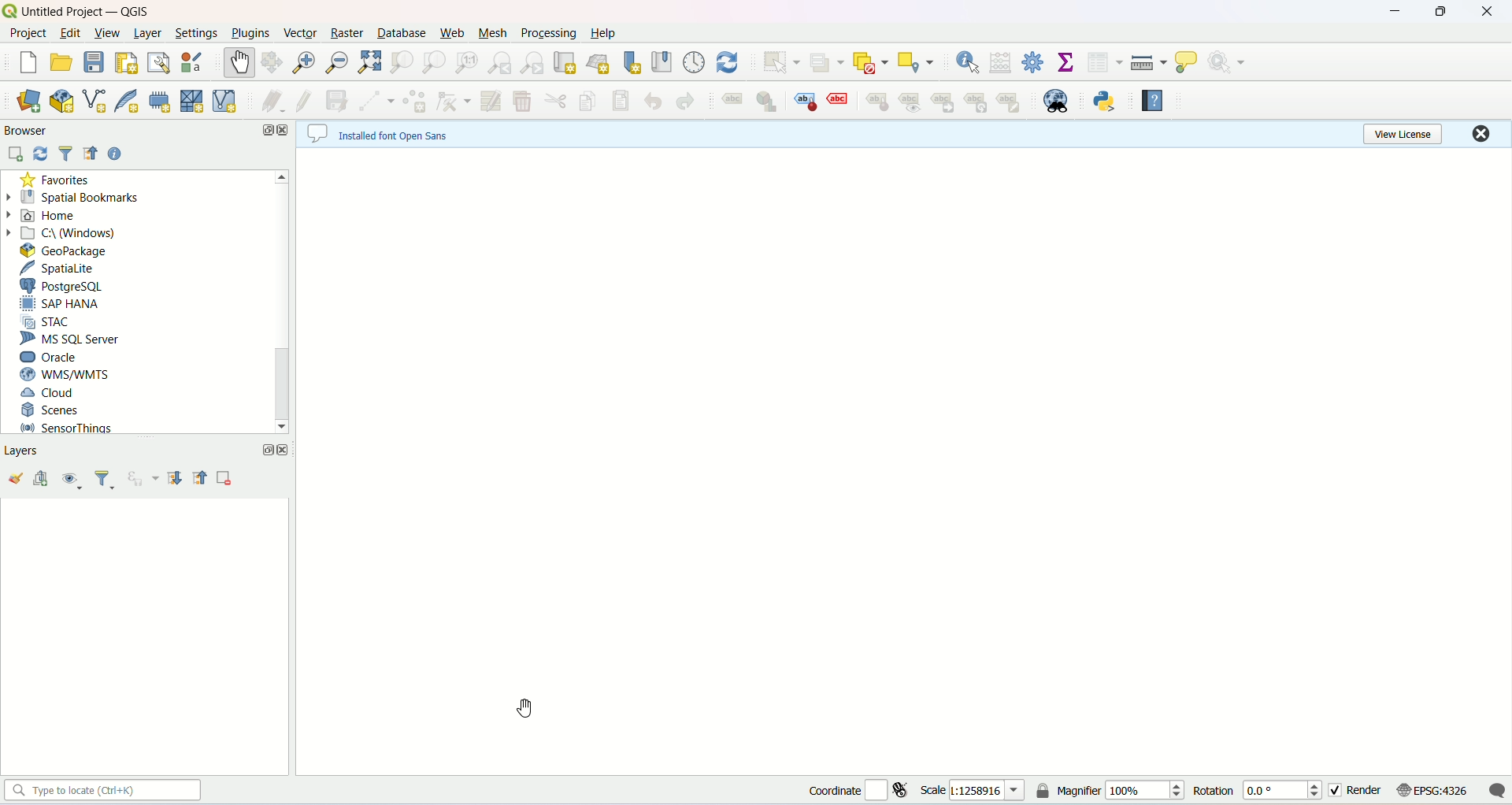  What do you see at coordinates (402, 32) in the screenshot?
I see `database` at bounding box center [402, 32].